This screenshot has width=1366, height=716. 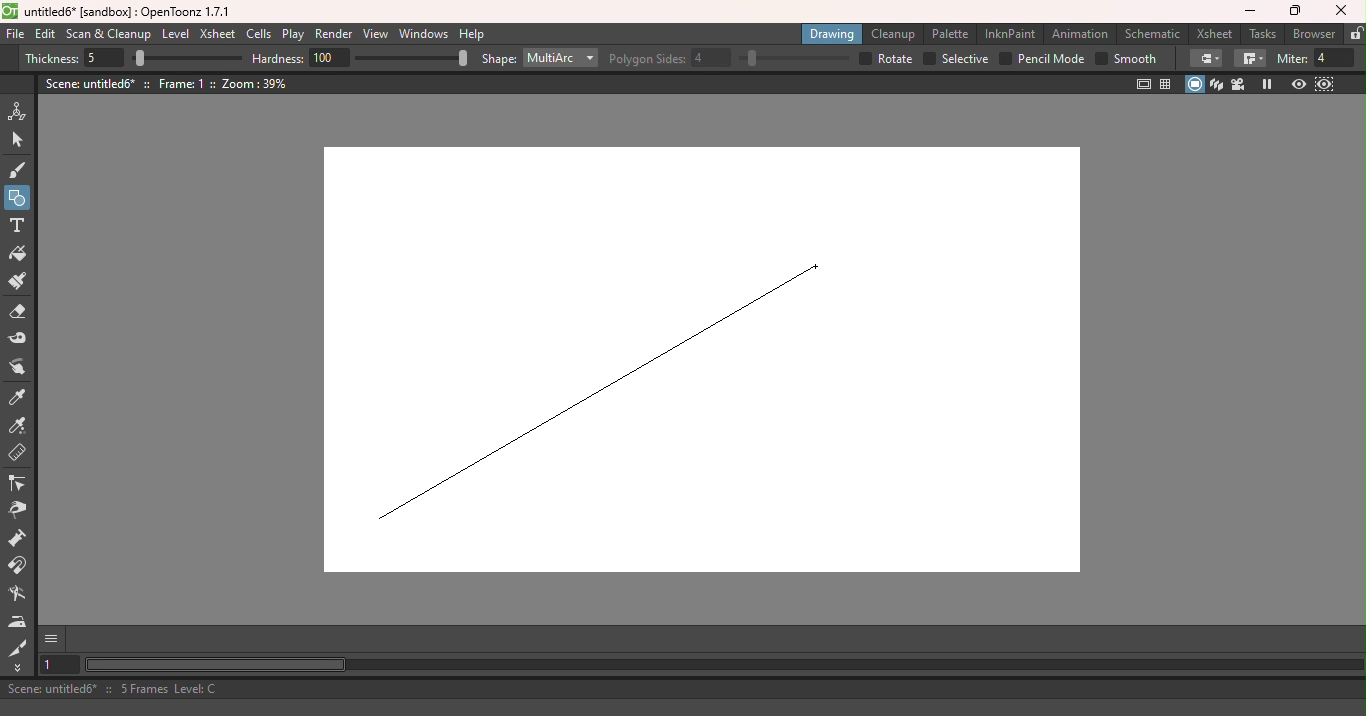 What do you see at coordinates (1126, 60) in the screenshot?
I see `Smooth` at bounding box center [1126, 60].